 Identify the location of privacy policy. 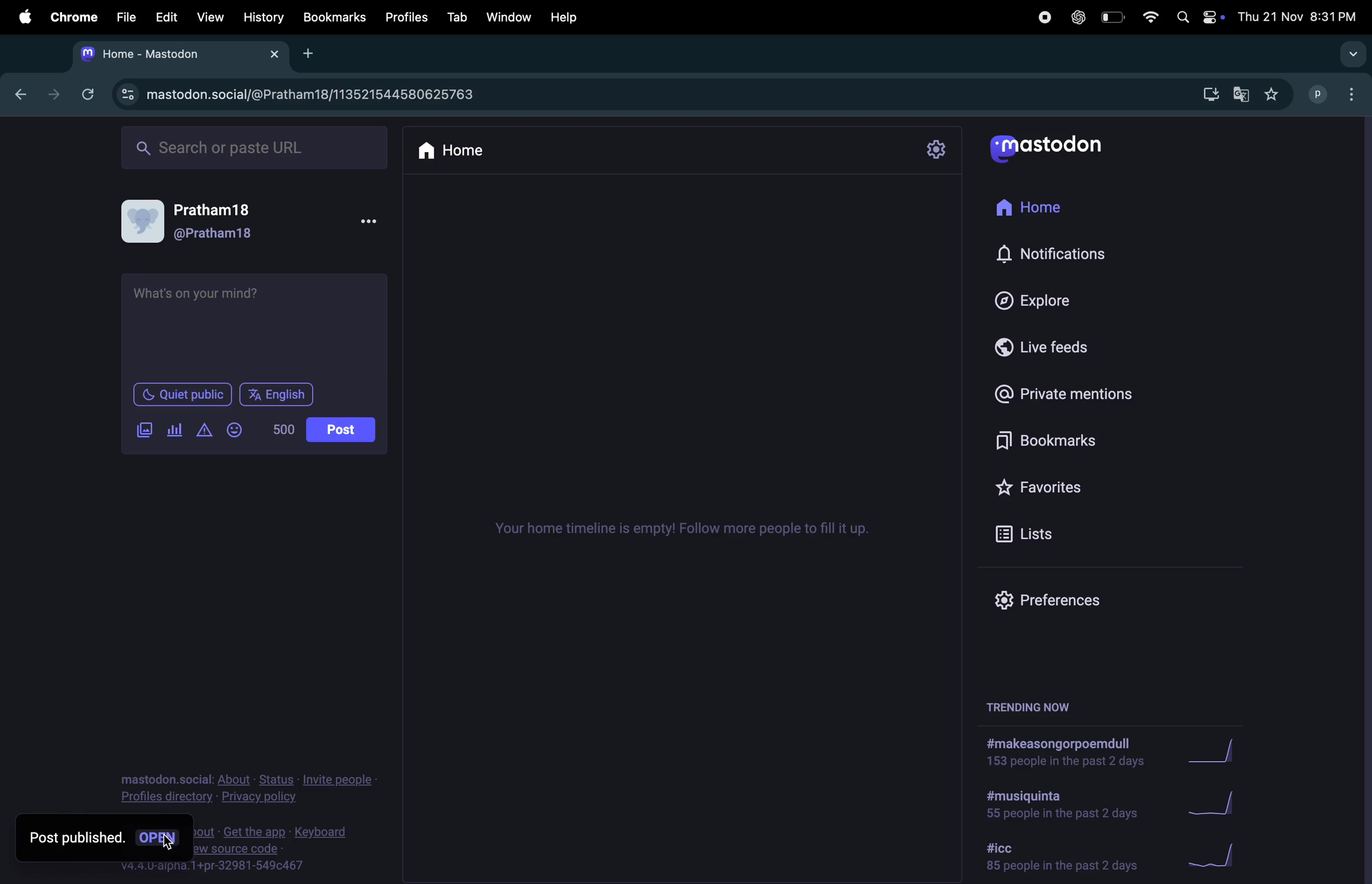
(247, 788).